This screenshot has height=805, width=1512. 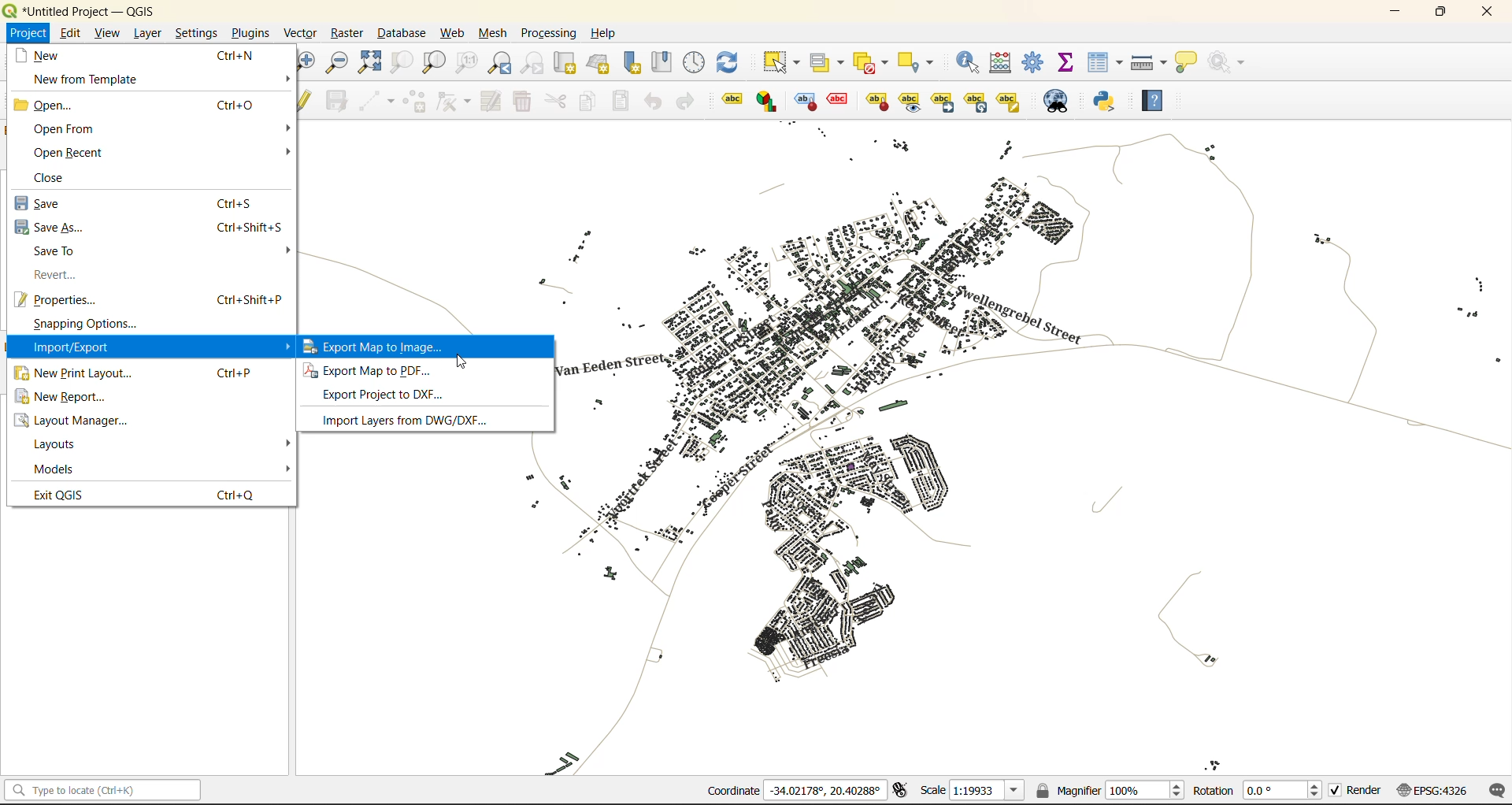 What do you see at coordinates (632, 62) in the screenshot?
I see `new spatial bookmark` at bounding box center [632, 62].